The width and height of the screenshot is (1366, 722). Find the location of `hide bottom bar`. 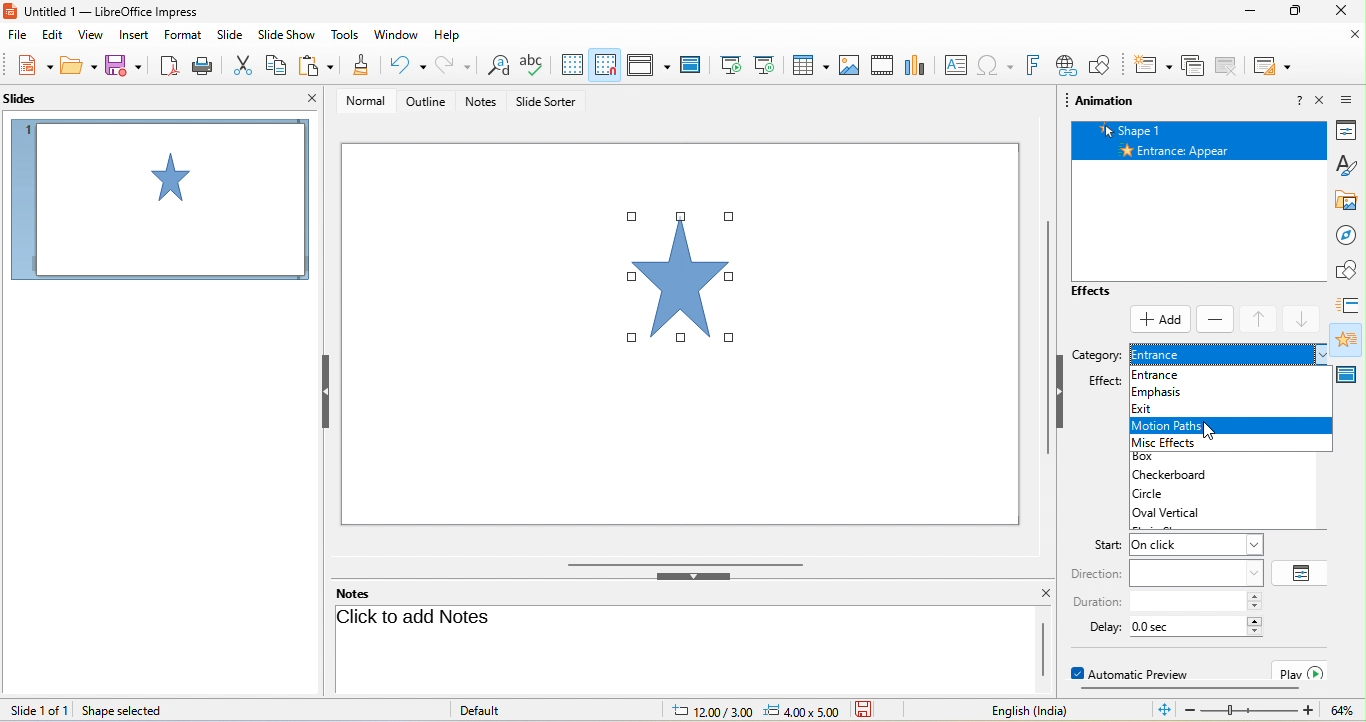

hide bottom bar is located at coordinates (693, 578).